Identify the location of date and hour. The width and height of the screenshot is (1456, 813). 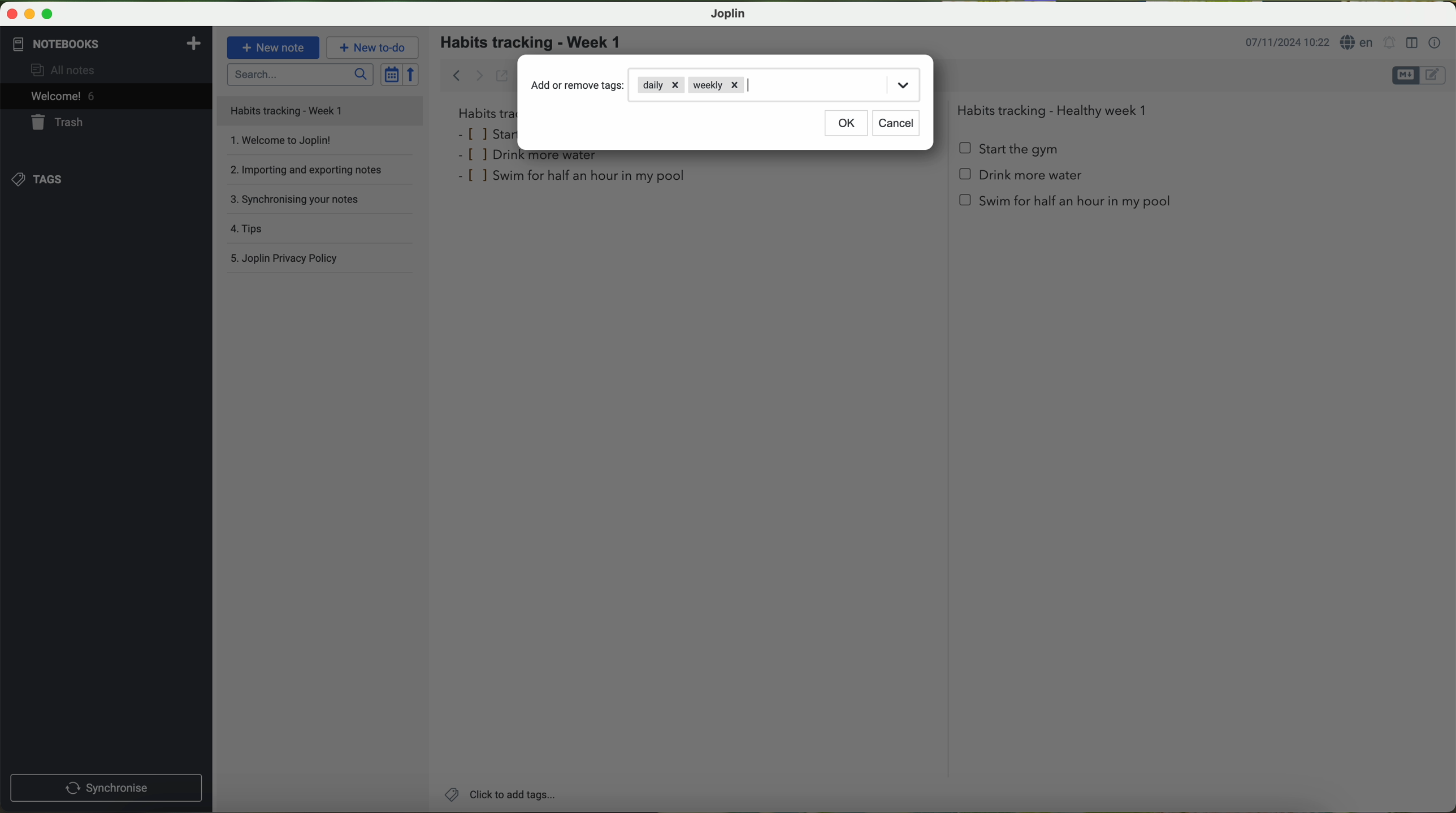
(1287, 41).